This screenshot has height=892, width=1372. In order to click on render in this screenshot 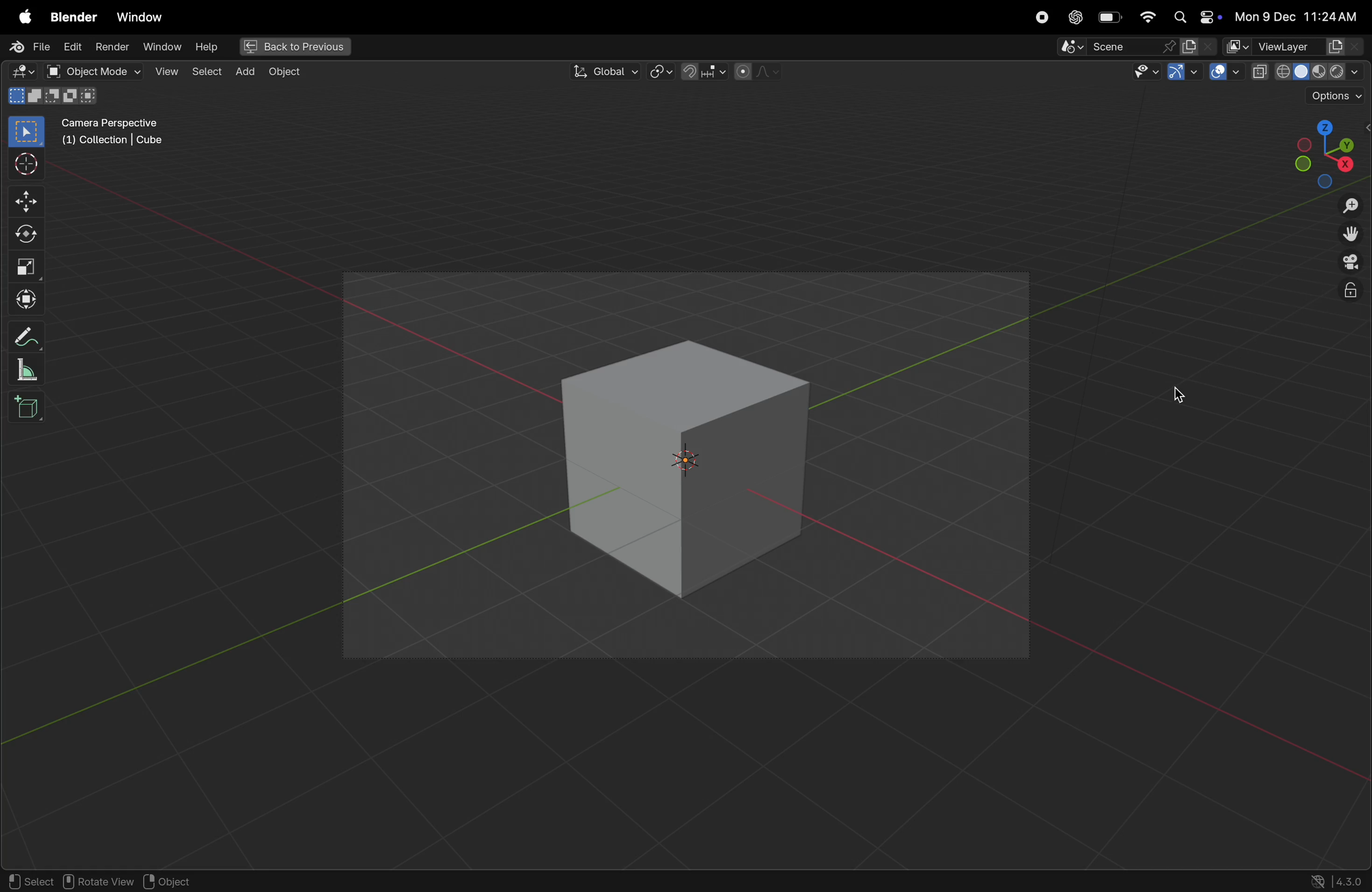, I will do `click(110, 47)`.